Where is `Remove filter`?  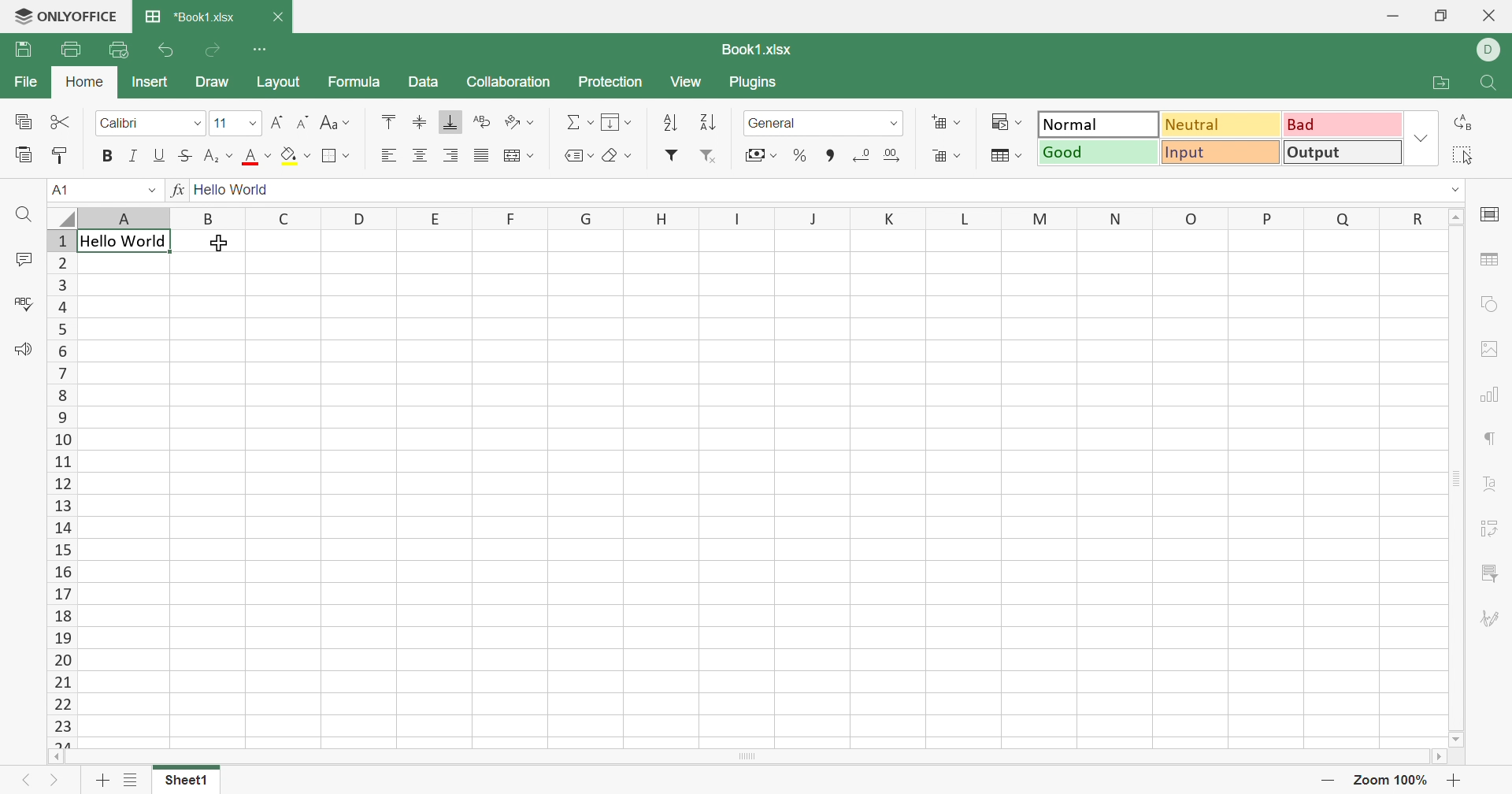 Remove filter is located at coordinates (708, 158).